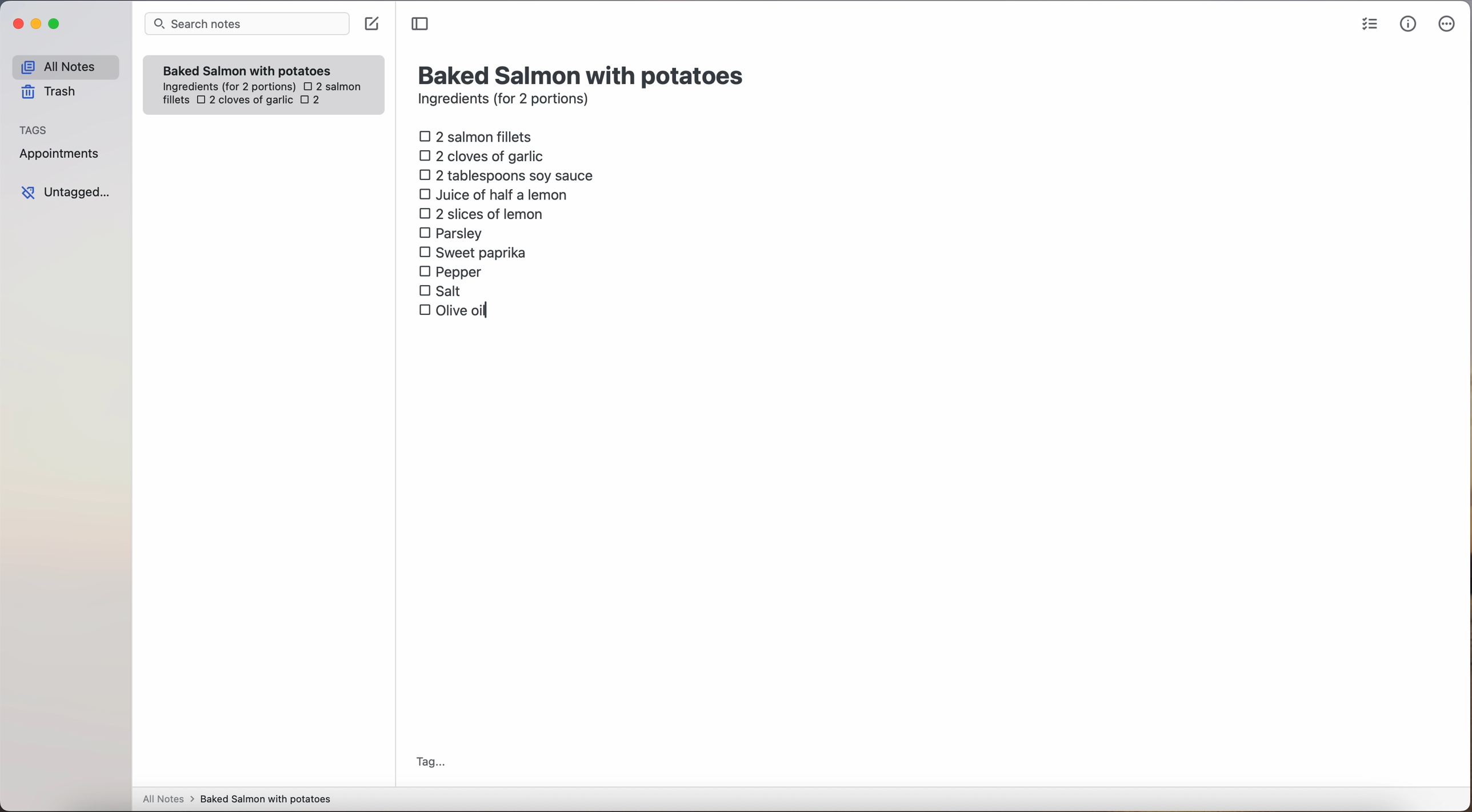 This screenshot has height=812, width=1472. I want to click on untagged, so click(67, 192).